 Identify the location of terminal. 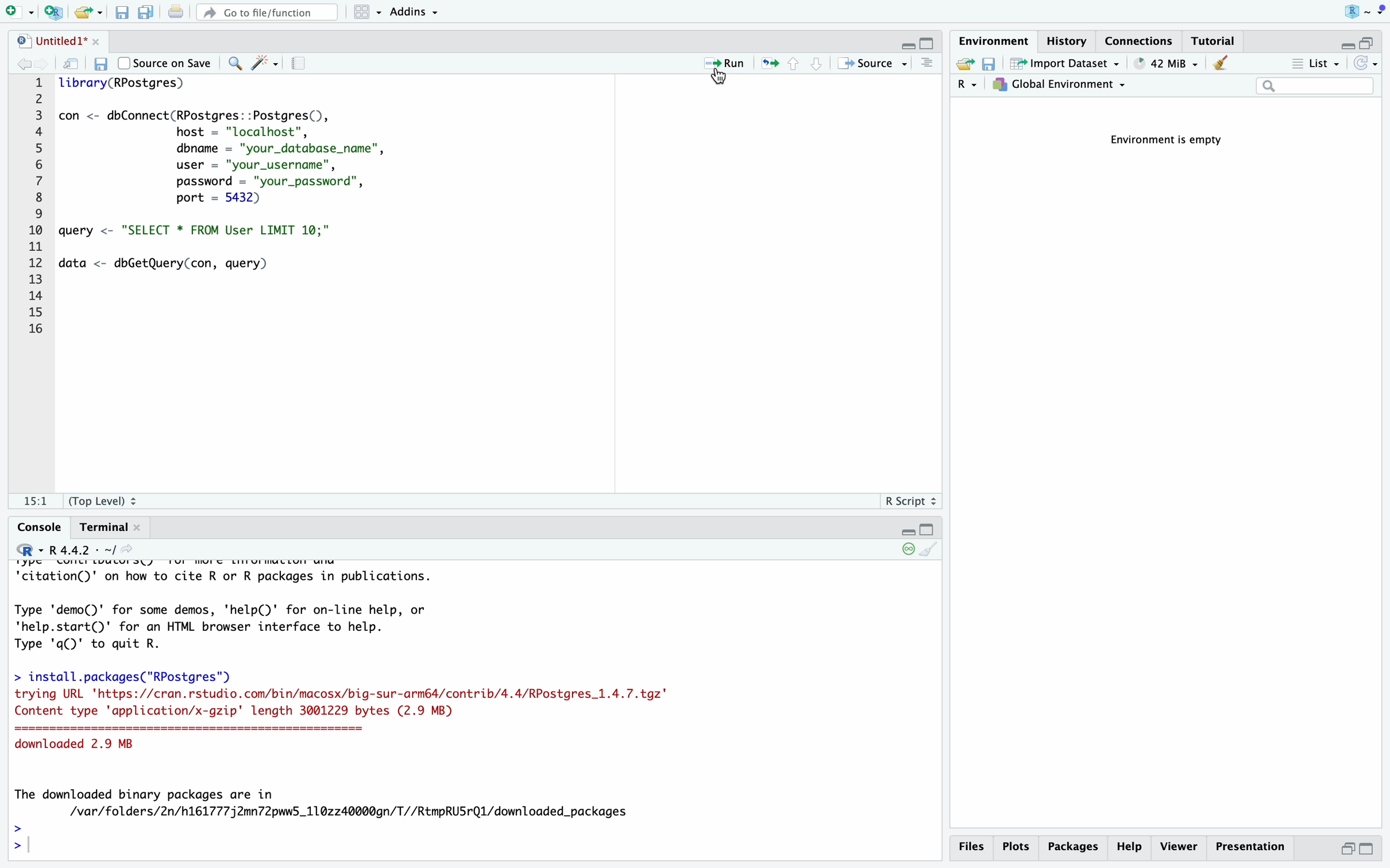
(102, 528).